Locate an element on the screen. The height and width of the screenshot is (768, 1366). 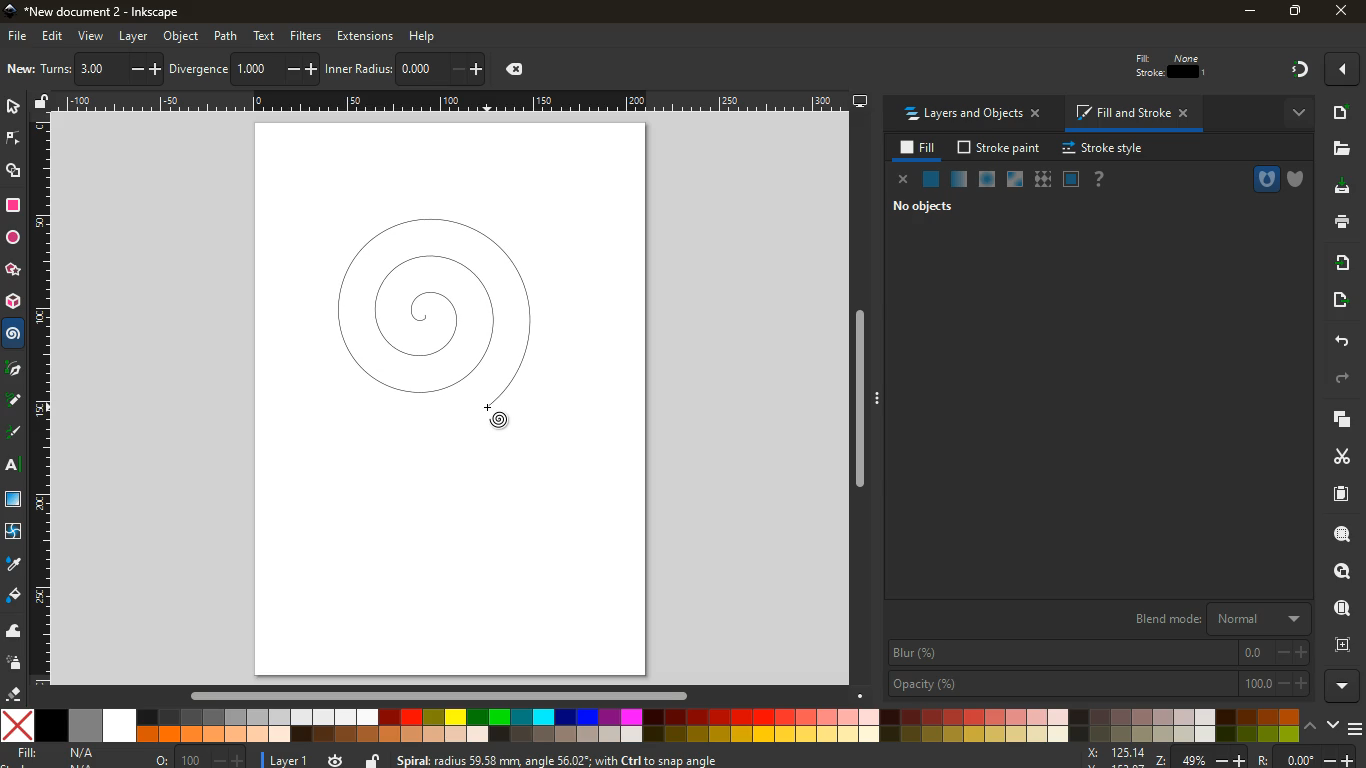
tilt is located at coordinates (196, 69).